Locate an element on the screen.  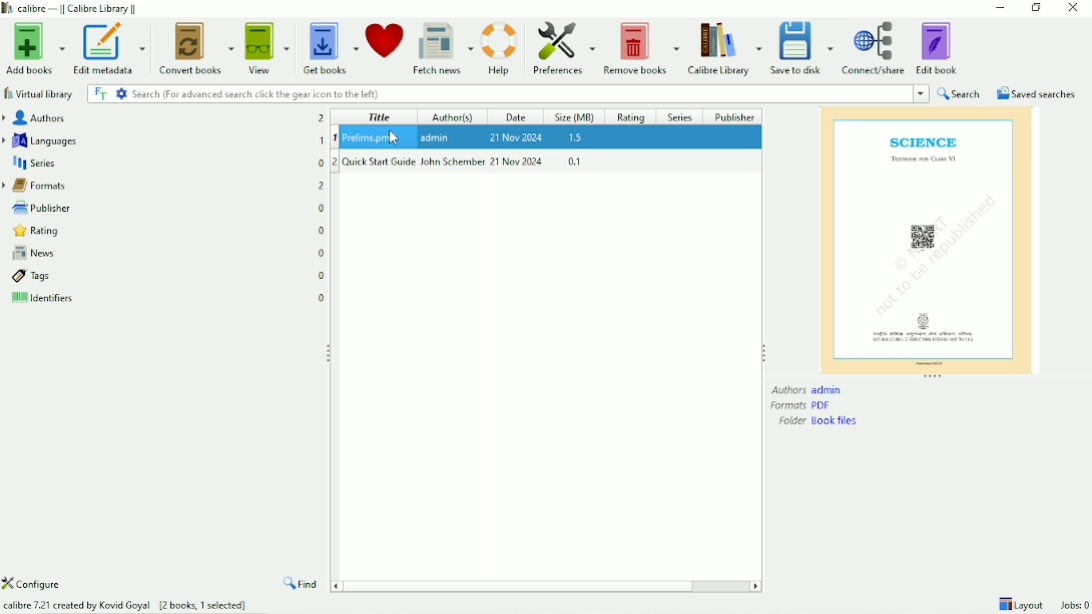
Close is located at coordinates (1072, 9).